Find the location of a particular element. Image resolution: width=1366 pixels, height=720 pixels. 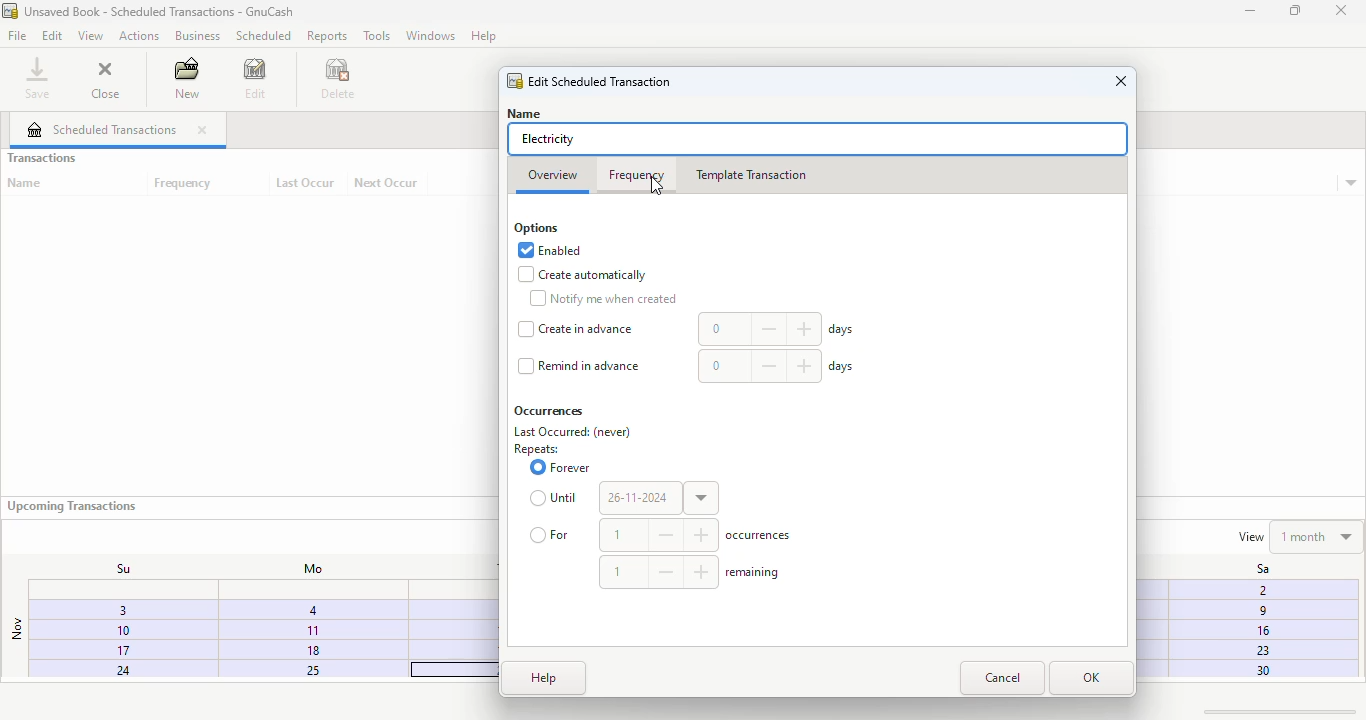

edit is located at coordinates (53, 36).